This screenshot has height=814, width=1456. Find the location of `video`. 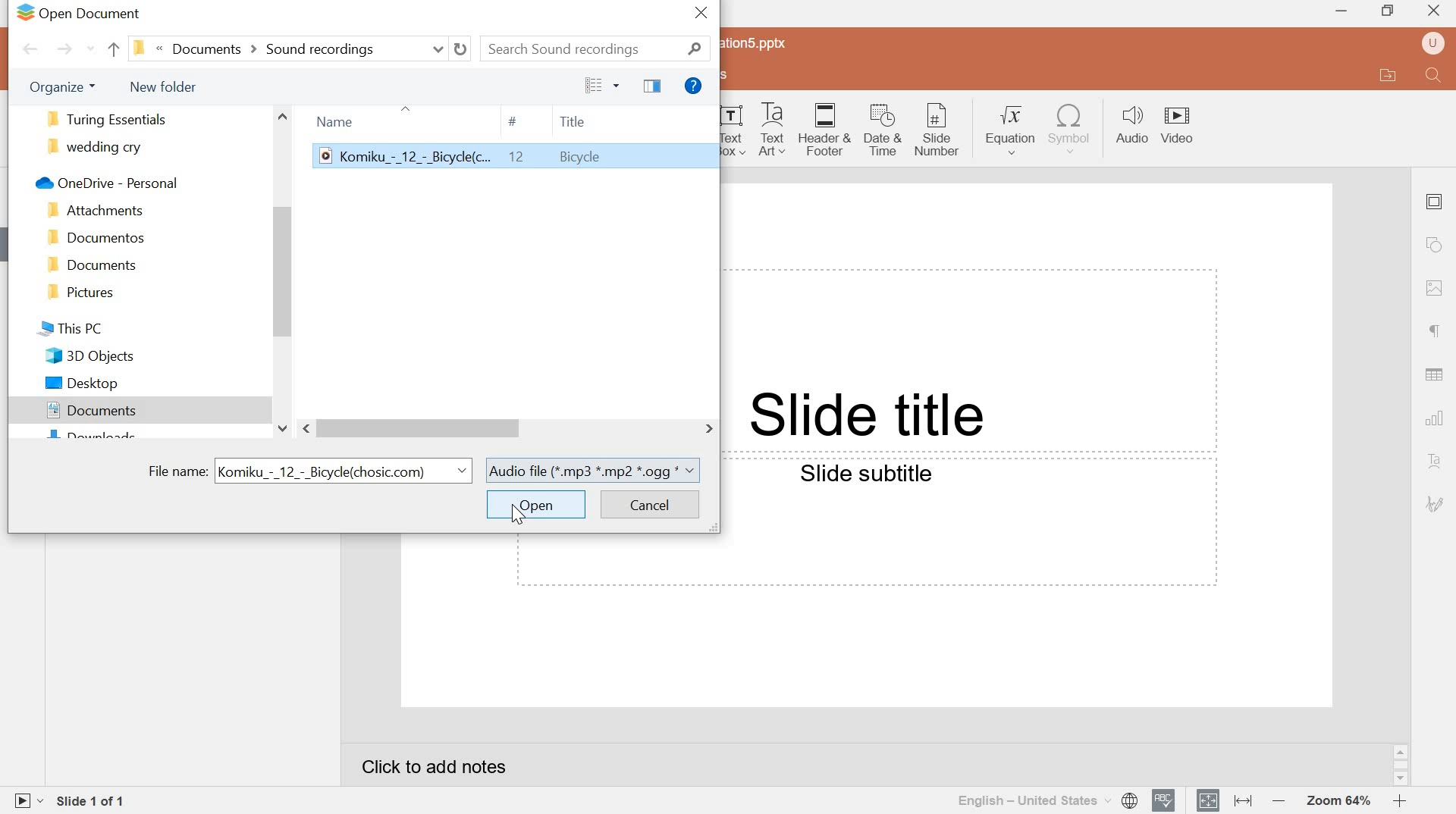

video is located at coordinates (1177, 138).